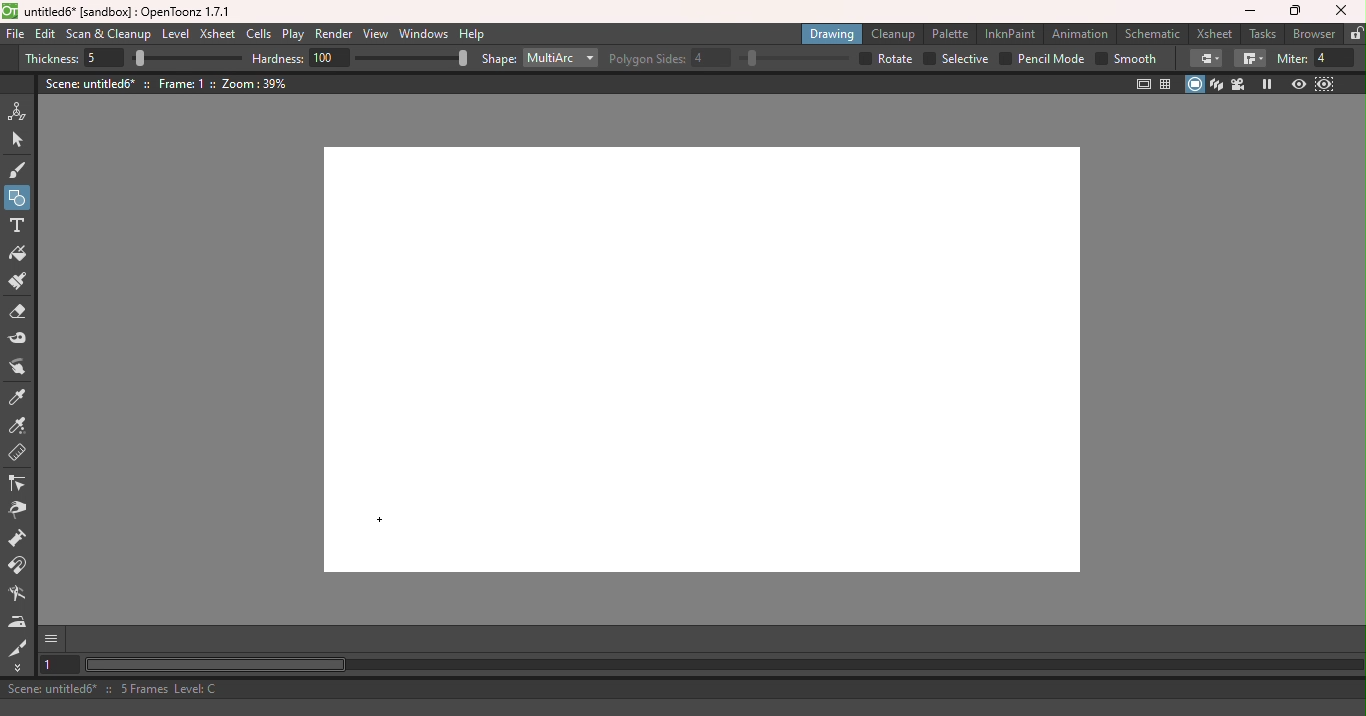  Describe the element at coordinates (21, 398) in the screenshot. I see `Style picker tool` at that location.